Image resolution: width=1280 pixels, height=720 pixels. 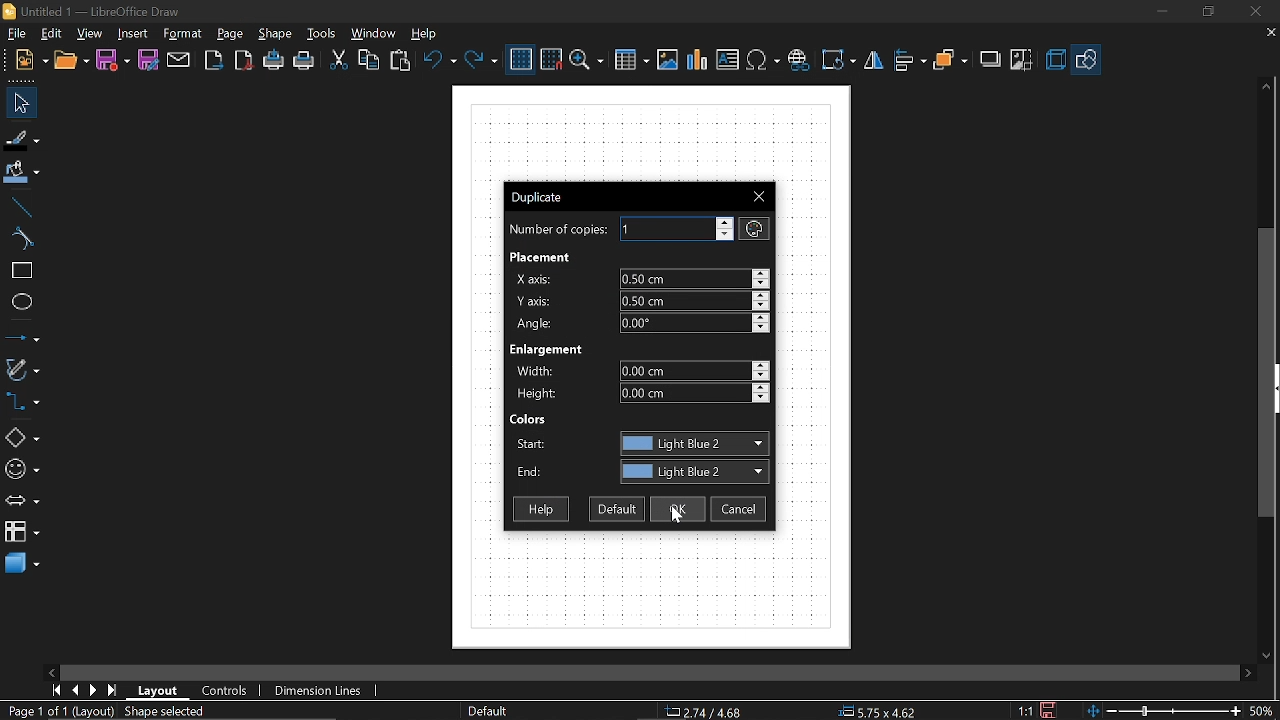 What do you see at coordinates (1023, 711) in the screenshot?
I see `Scaling factor` at bounding box center [1023, 711].